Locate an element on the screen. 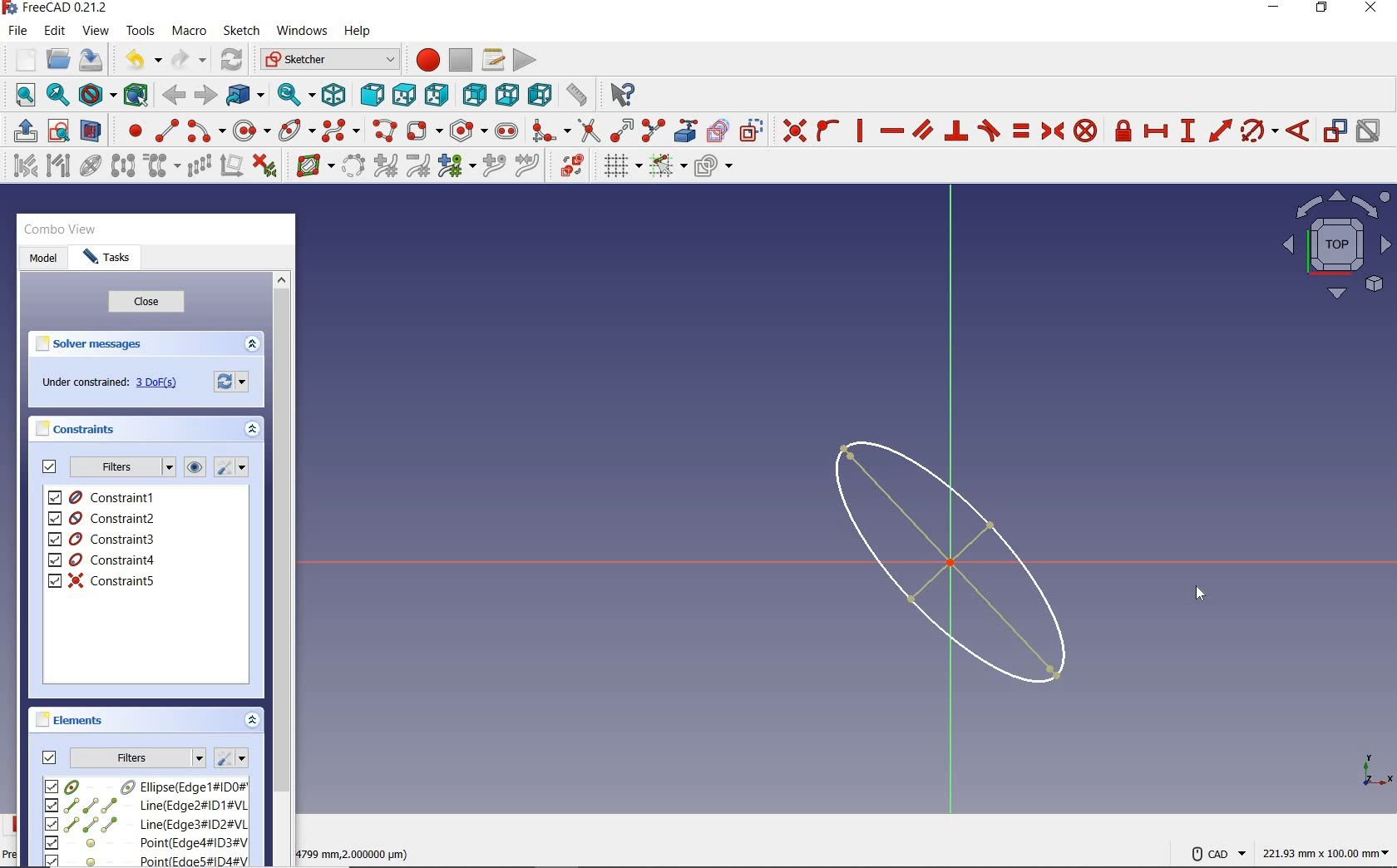 This screenshot has width=1397, height=868. create point is located at coordinates (131, 131).